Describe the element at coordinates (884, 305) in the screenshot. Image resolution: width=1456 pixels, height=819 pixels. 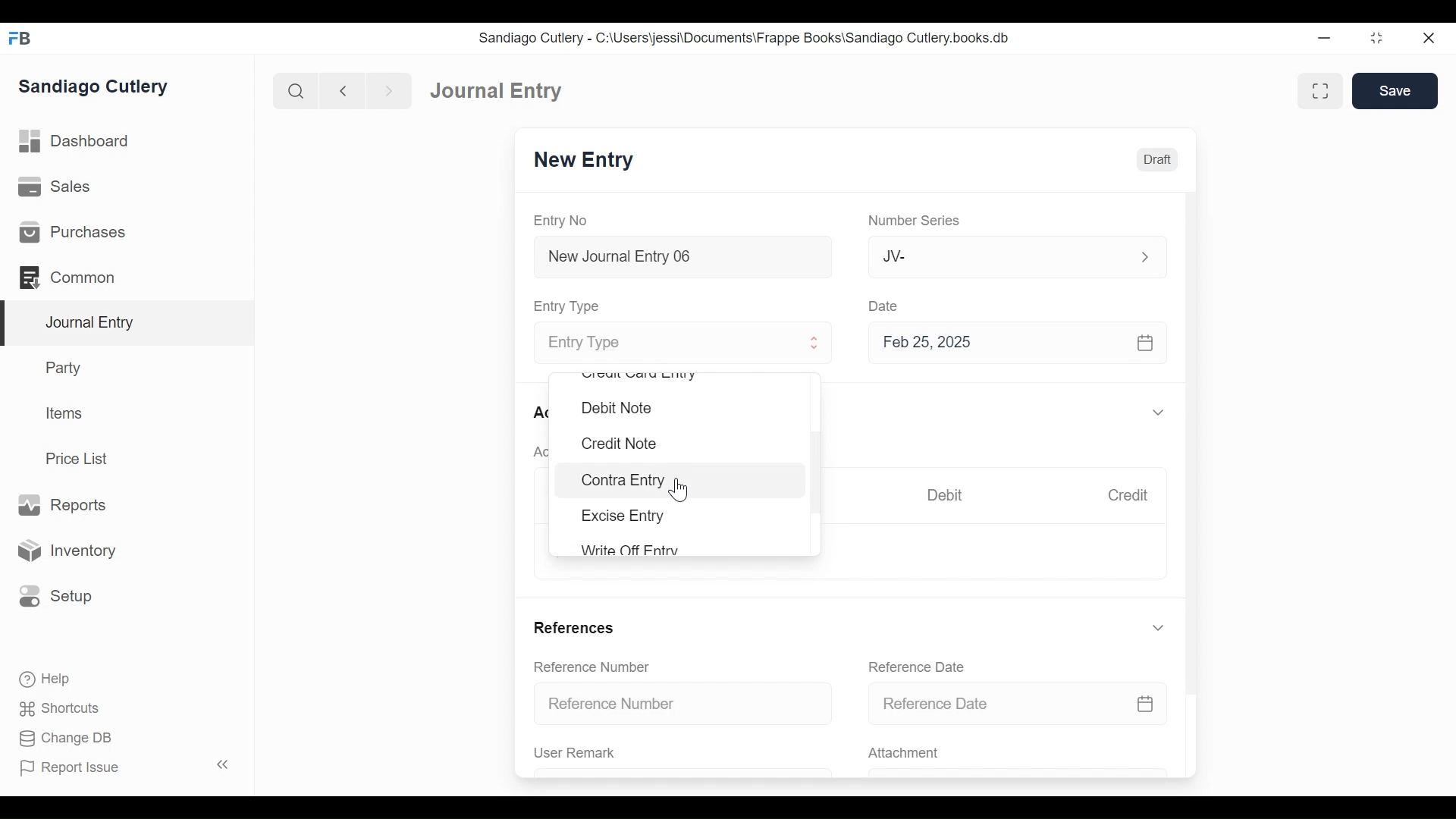
I see `Date` at that location.